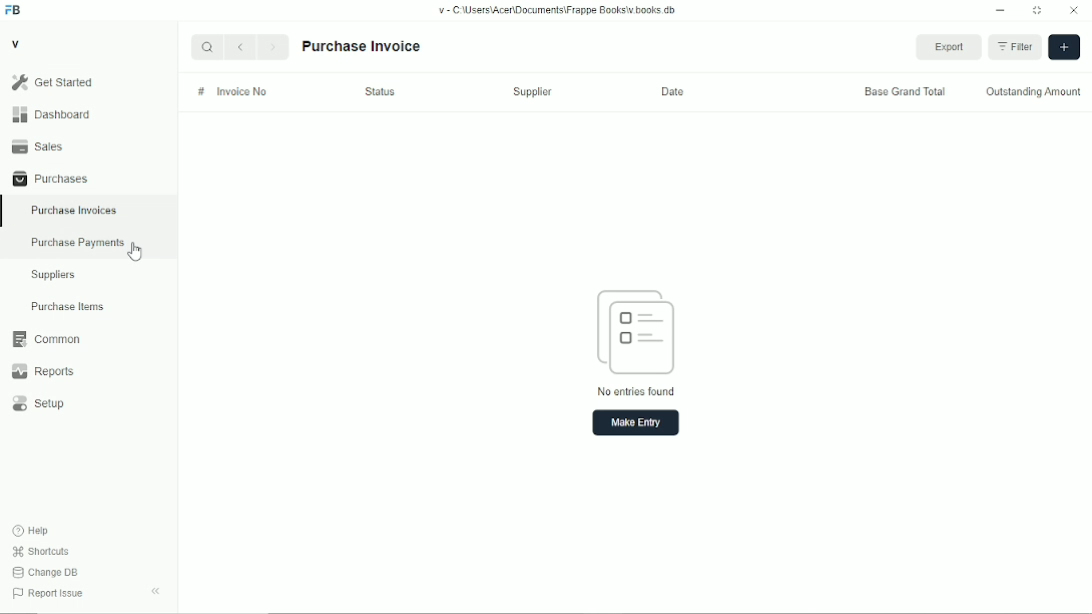 Image resolution: width=1092 pixels, height=614 pixels. Describe the element at coordinates (1014, 47) in the screenshot. I see `Filter` at that location.